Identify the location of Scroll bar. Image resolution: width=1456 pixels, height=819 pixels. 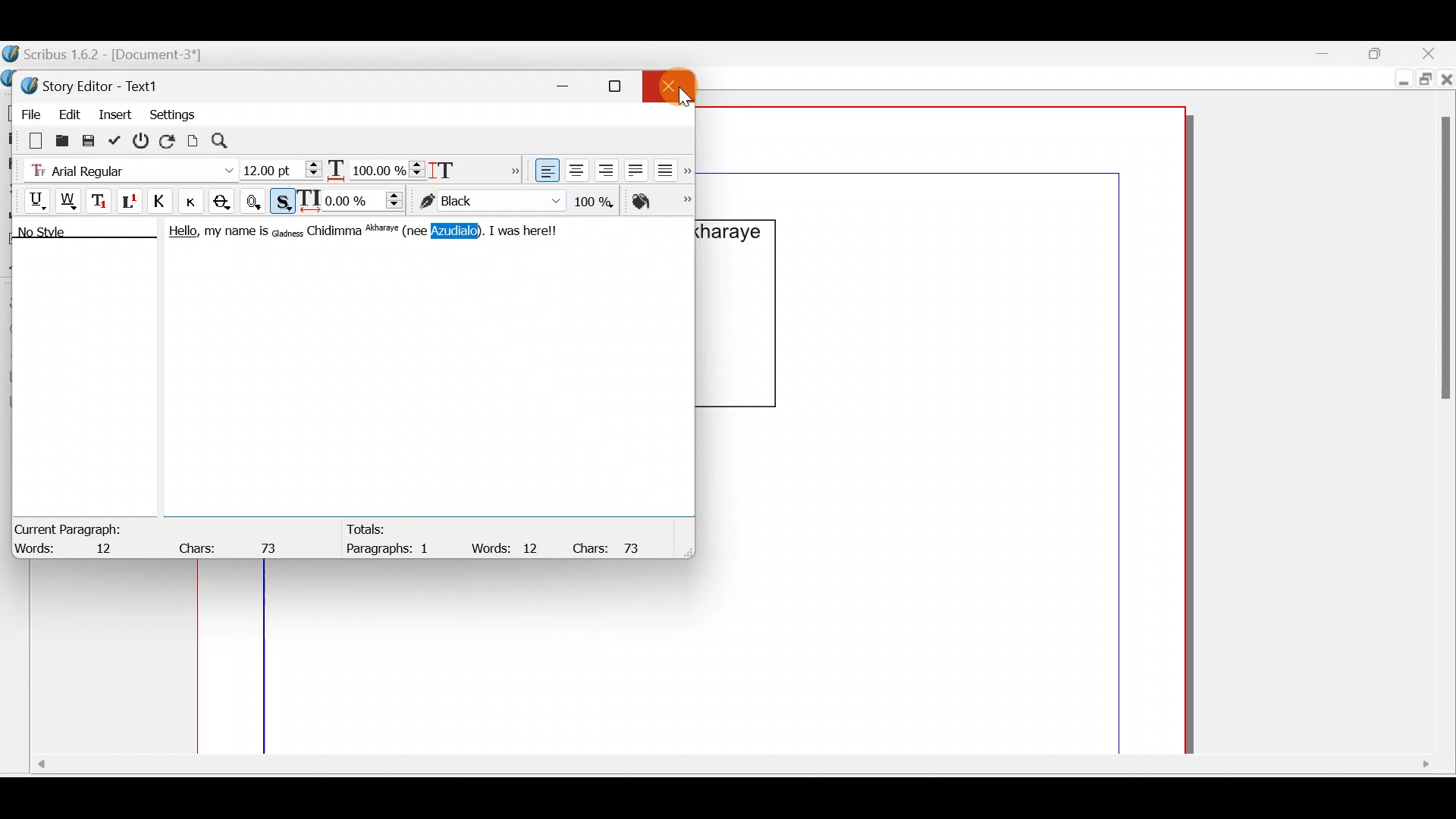
(1440, 414).